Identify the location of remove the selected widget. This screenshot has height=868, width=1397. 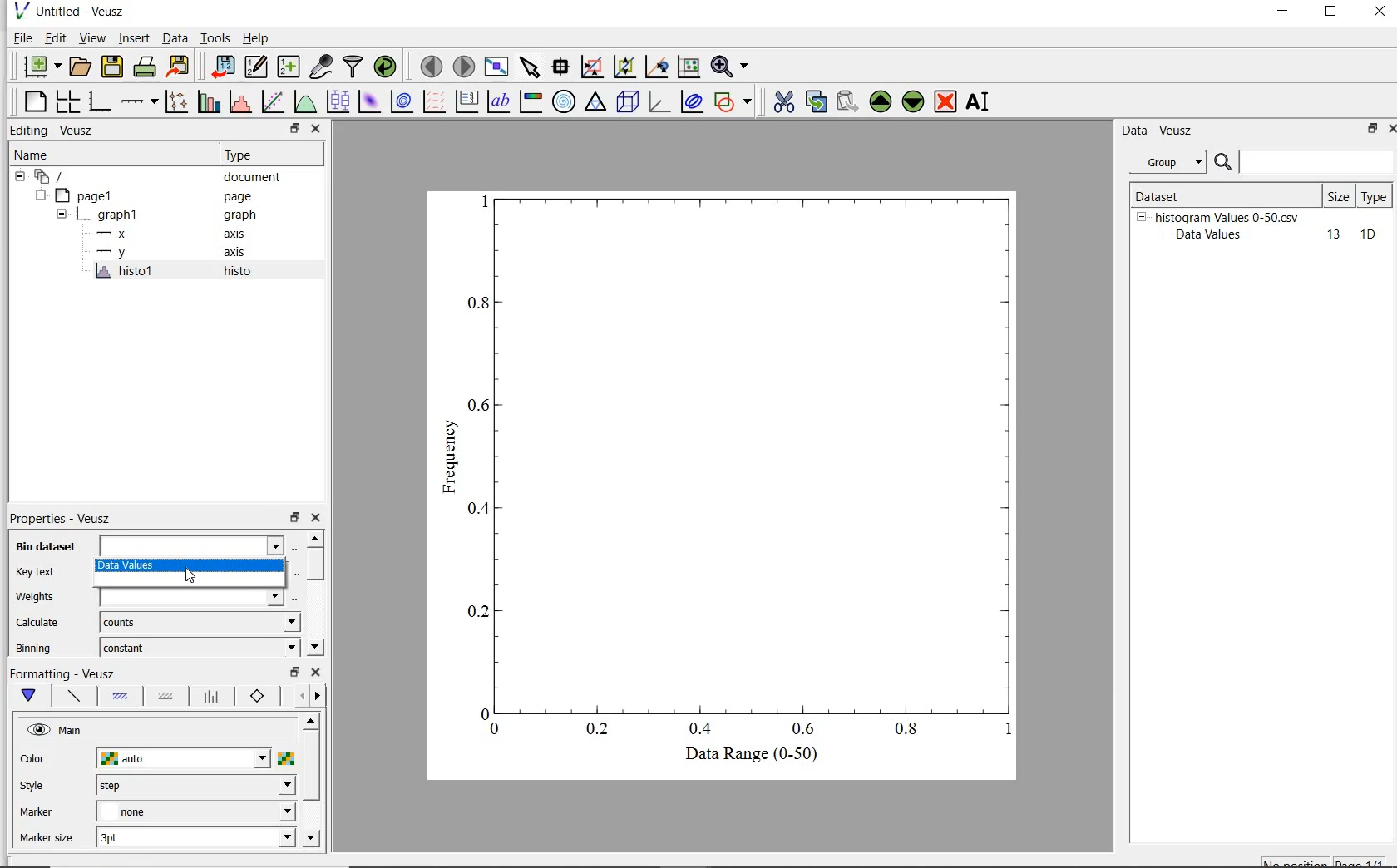
(945, 103).